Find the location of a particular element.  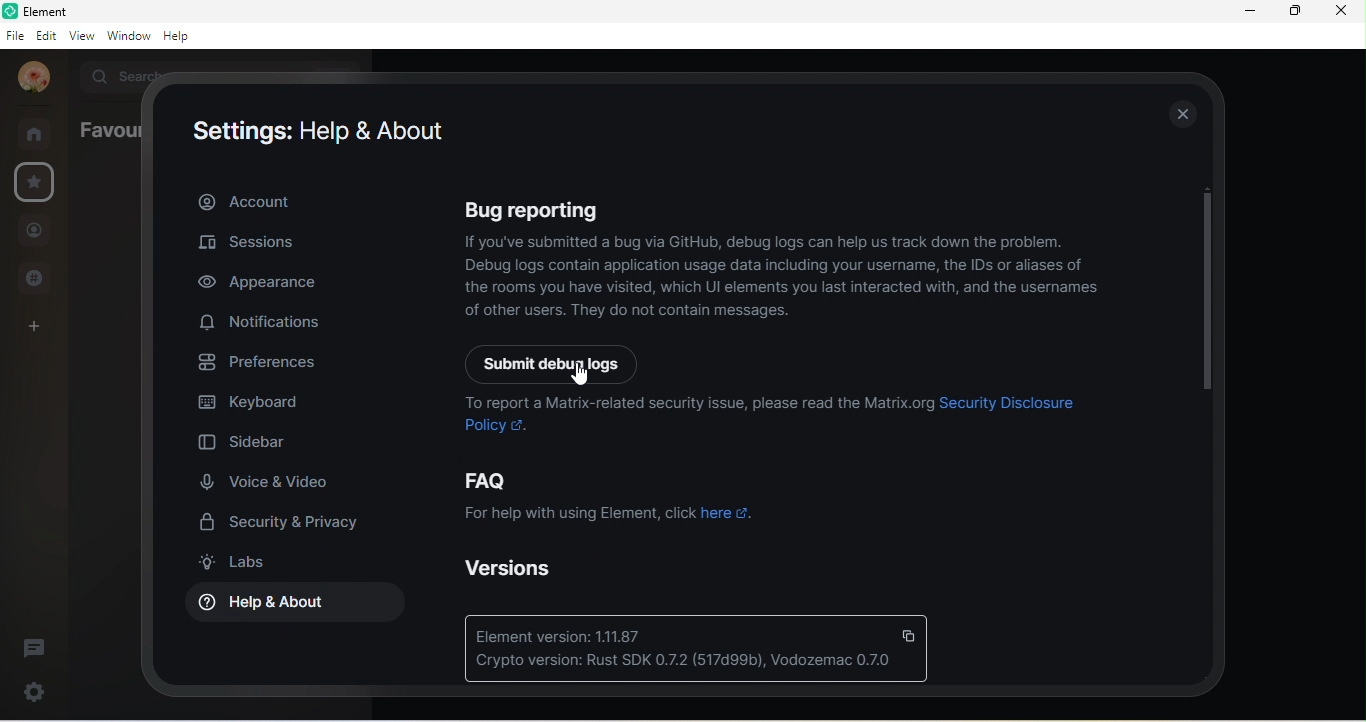

bug reporting is located at coordinates (762, 208).